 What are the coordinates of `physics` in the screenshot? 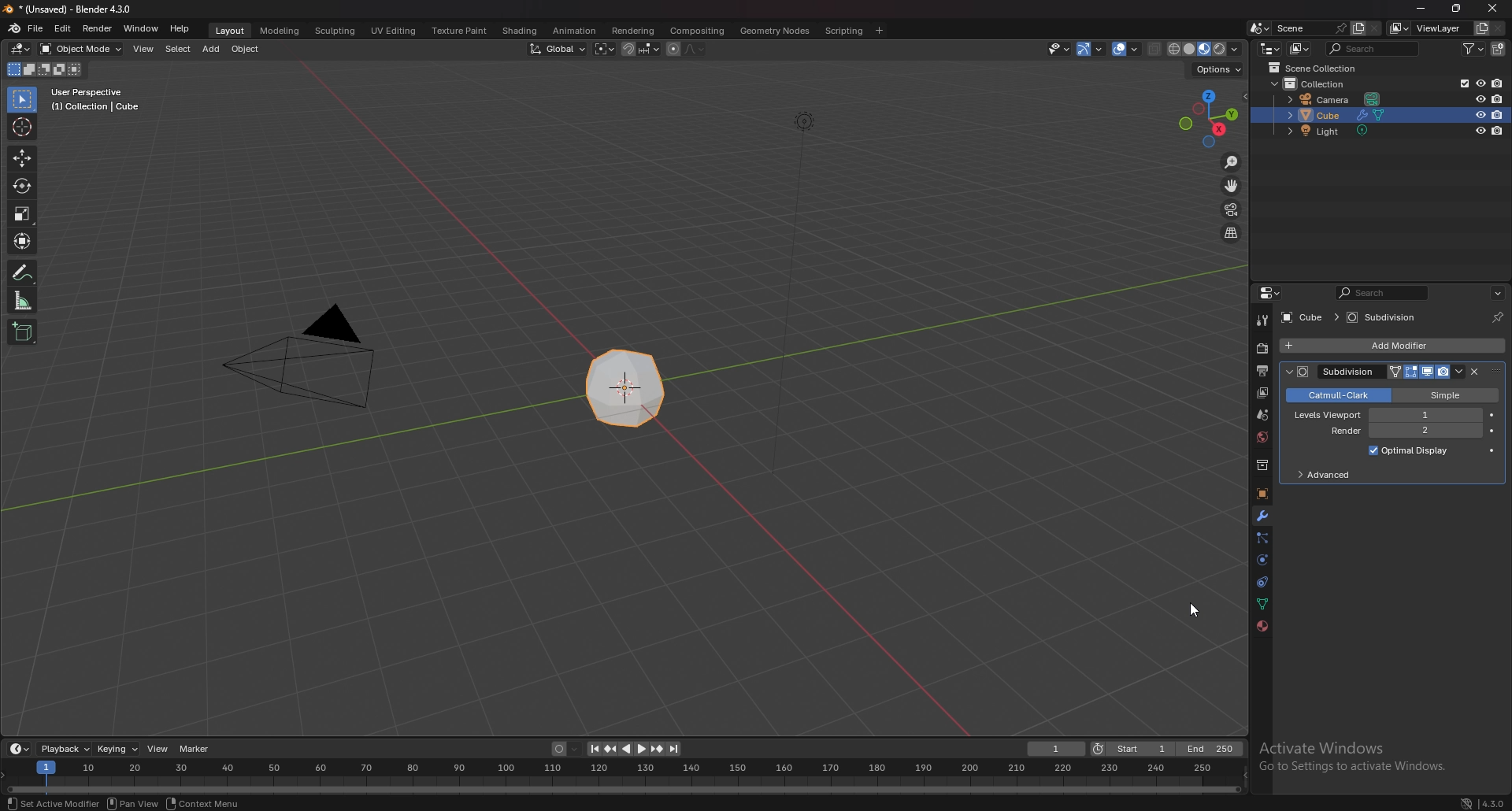 It's located at (1262, 561).